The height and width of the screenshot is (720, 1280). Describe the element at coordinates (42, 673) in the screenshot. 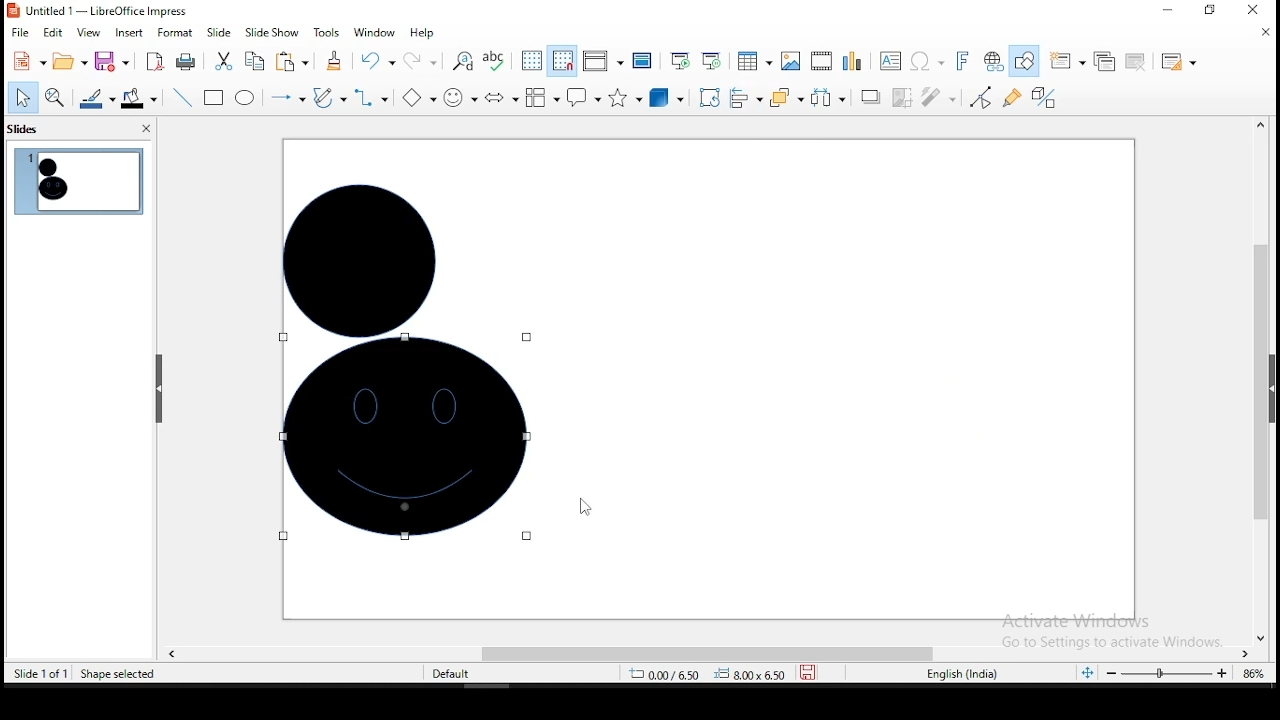

I see `slide 1 of 1` at that location.